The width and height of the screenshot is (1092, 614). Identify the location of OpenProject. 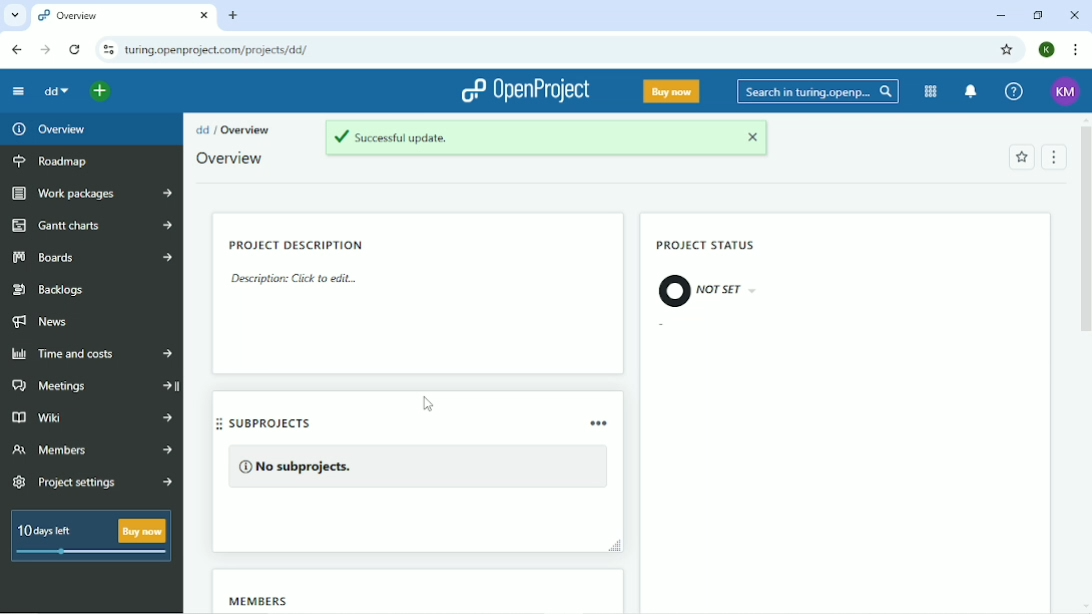
(527, 91).